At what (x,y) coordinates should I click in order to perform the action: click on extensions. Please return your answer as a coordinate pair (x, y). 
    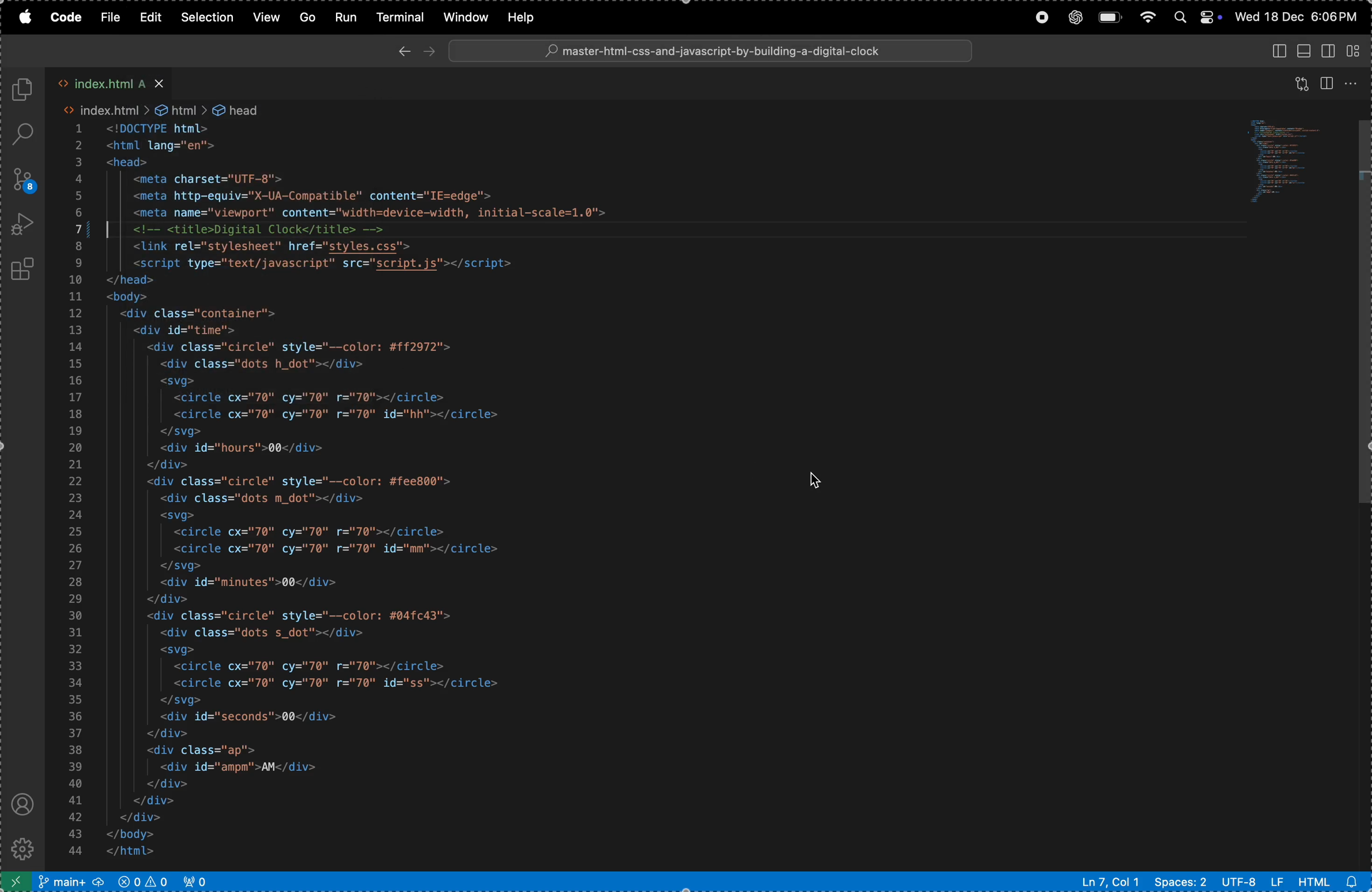
    Looking at the image, I should click on (25, 269).